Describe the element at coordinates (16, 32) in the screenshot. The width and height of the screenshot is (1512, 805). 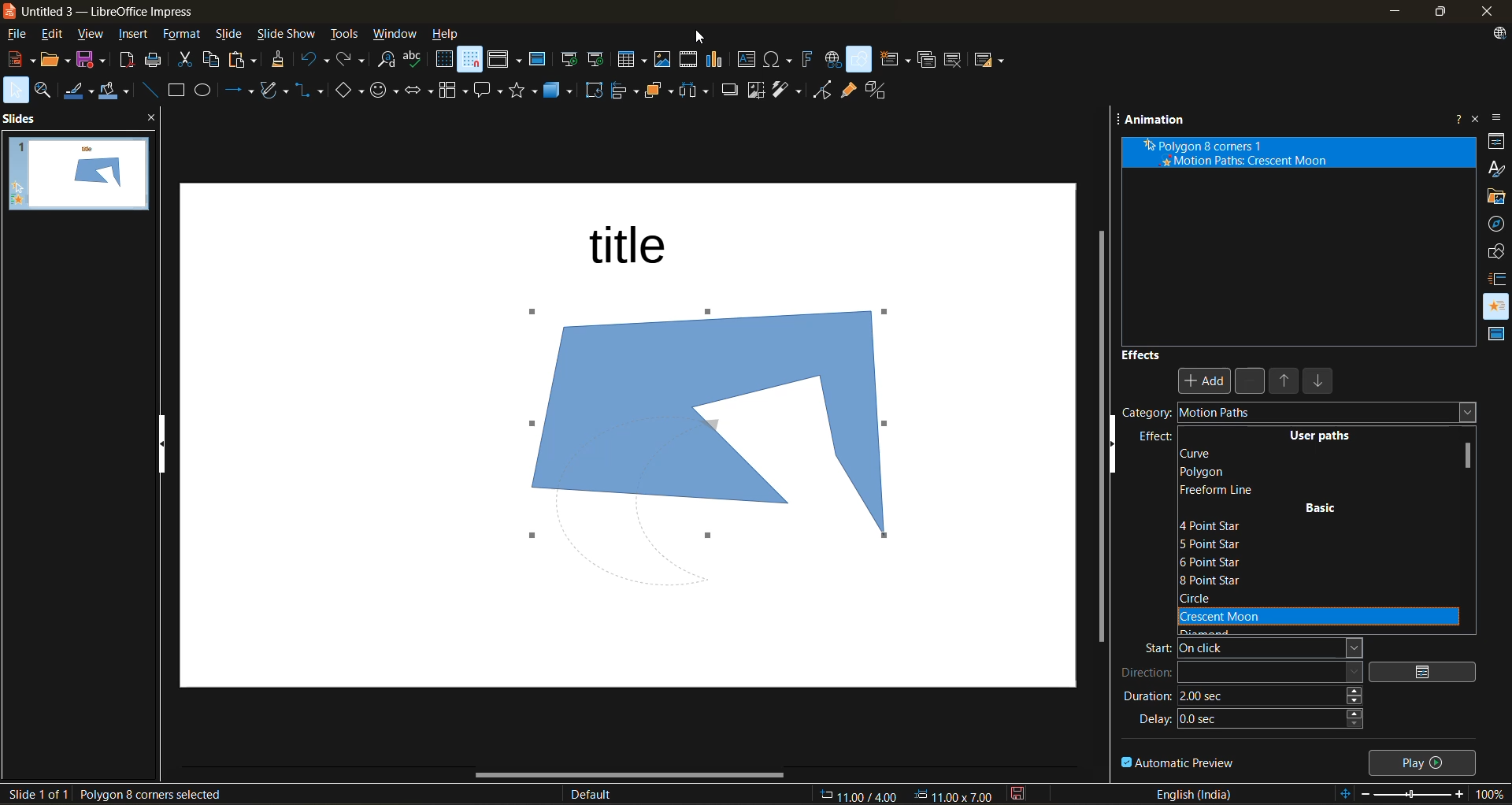
I see `file` at that location.